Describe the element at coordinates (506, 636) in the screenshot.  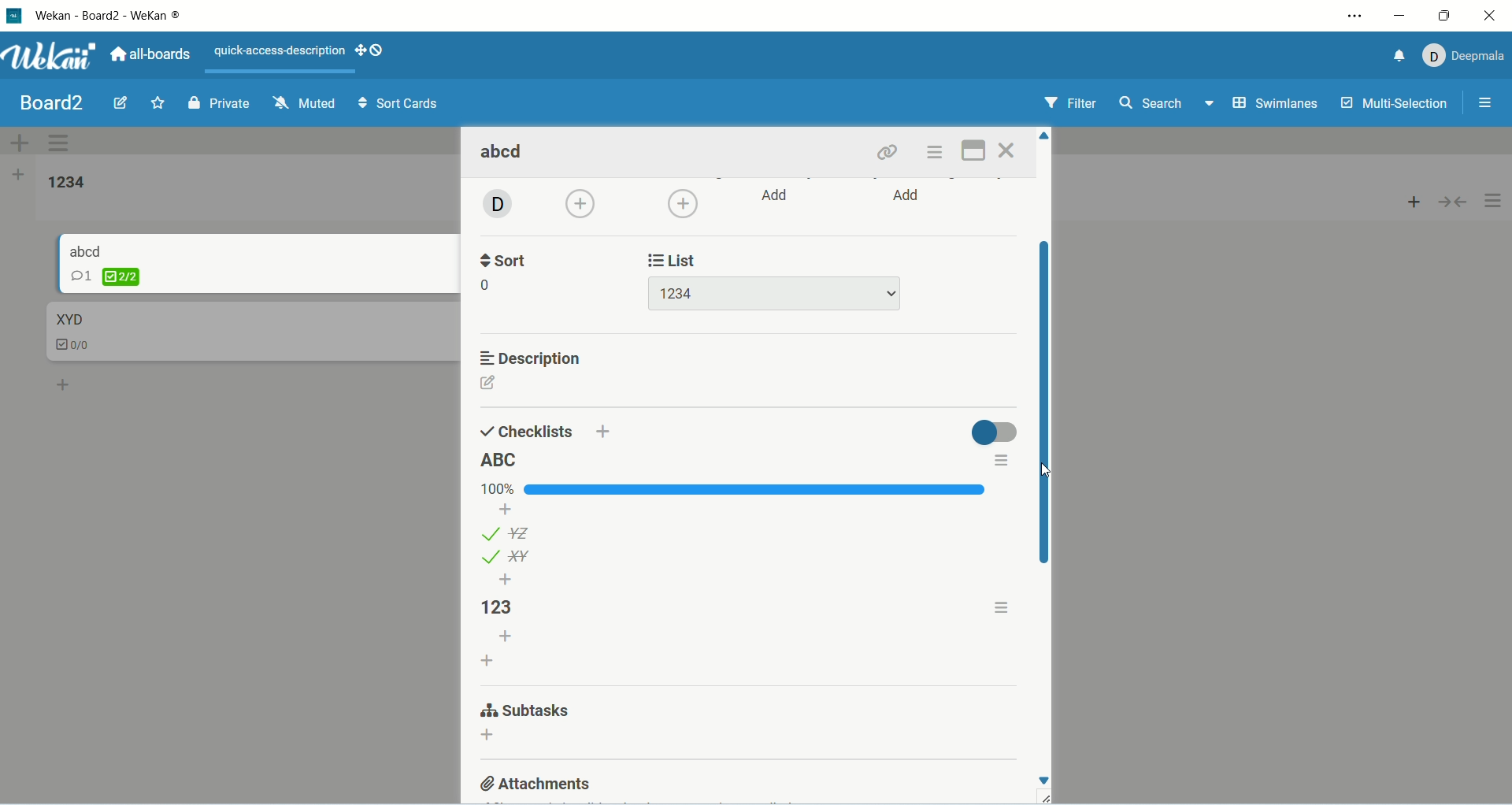
I see `add` at that location.